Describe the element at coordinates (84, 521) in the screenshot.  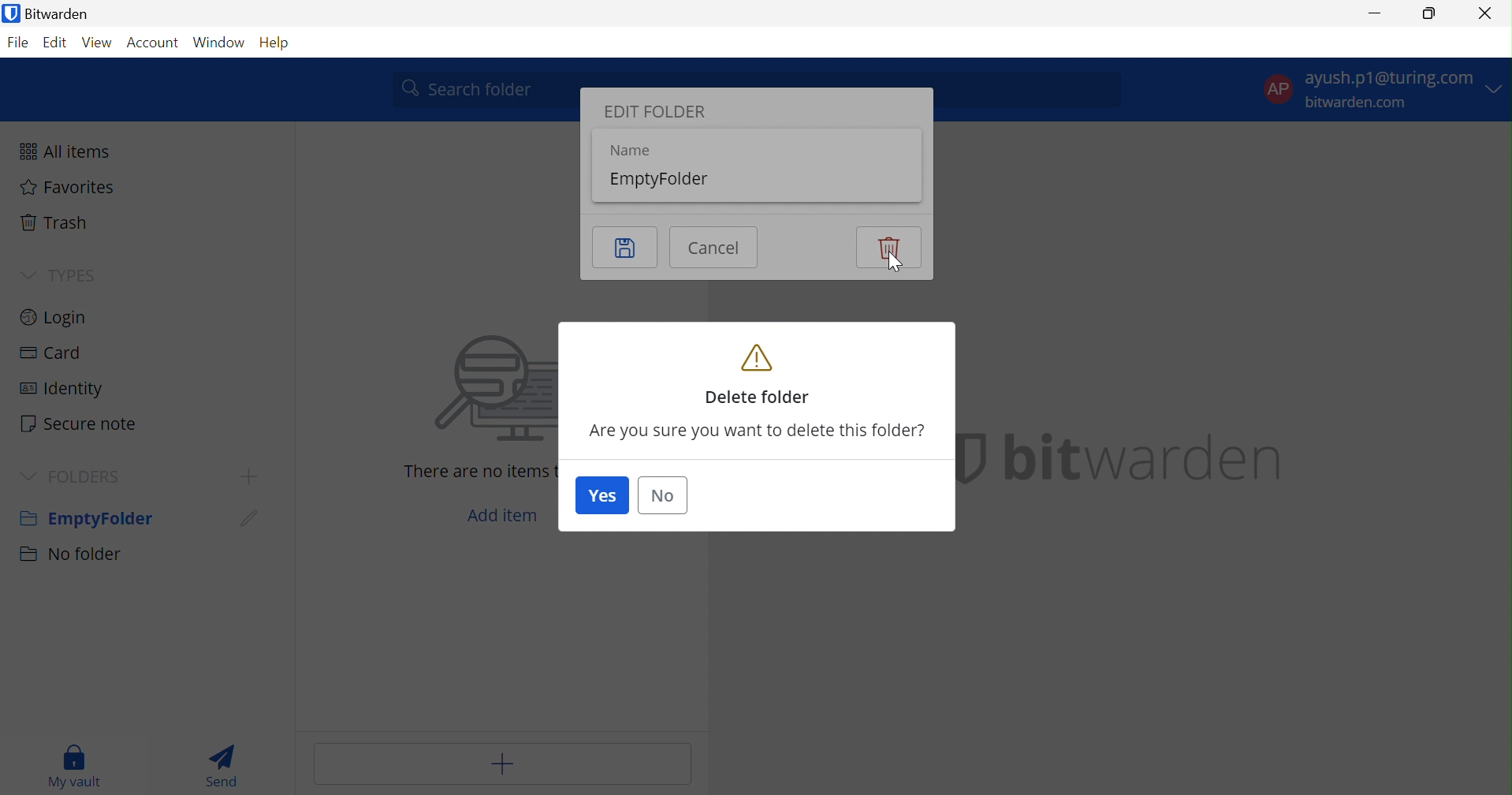
I see `Empty Folder` at that location.